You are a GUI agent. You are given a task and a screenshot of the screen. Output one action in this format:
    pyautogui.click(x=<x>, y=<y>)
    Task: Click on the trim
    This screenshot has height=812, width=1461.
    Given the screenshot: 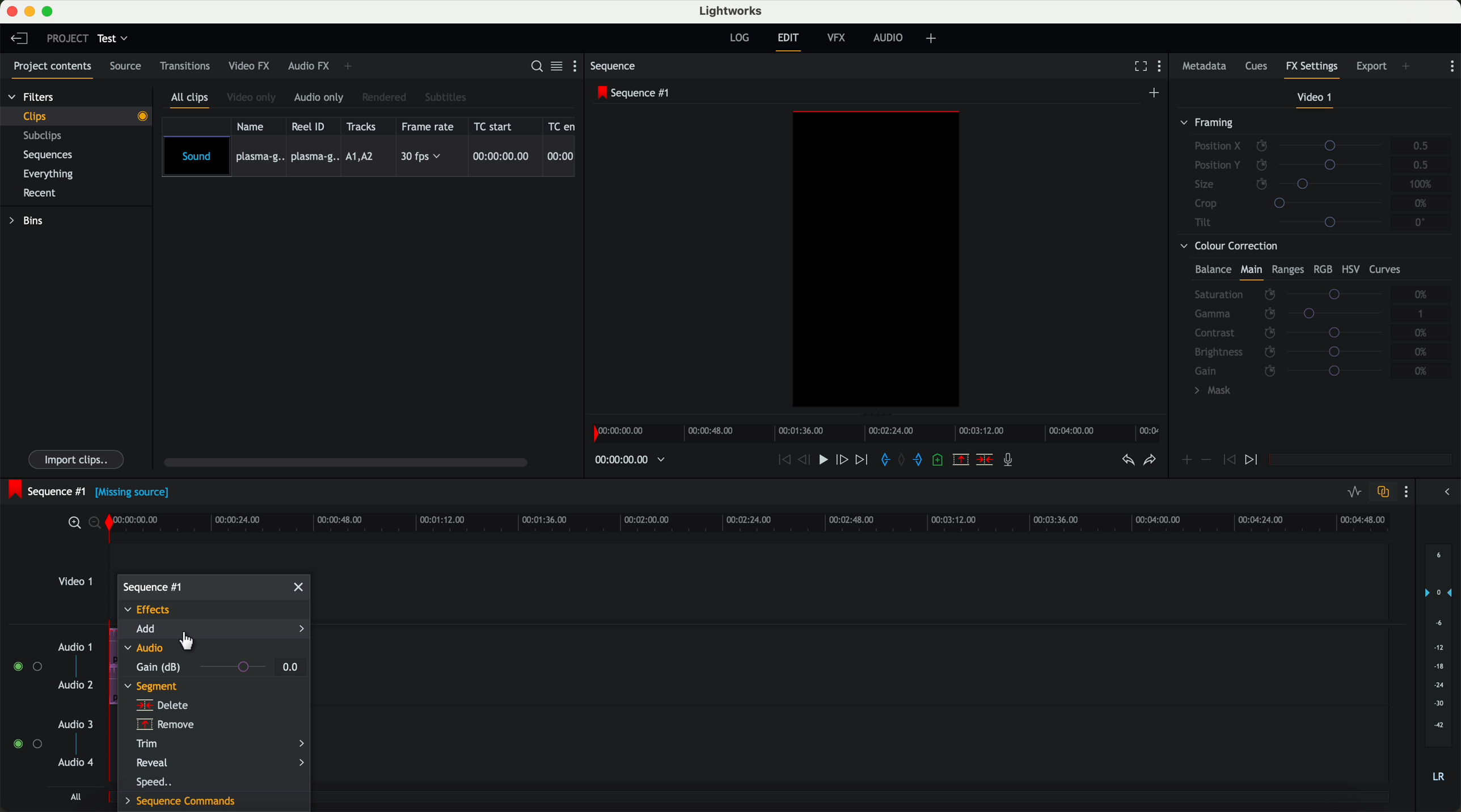 What is the action you would take?
    pyautogui.click(x=221, y=744)
    